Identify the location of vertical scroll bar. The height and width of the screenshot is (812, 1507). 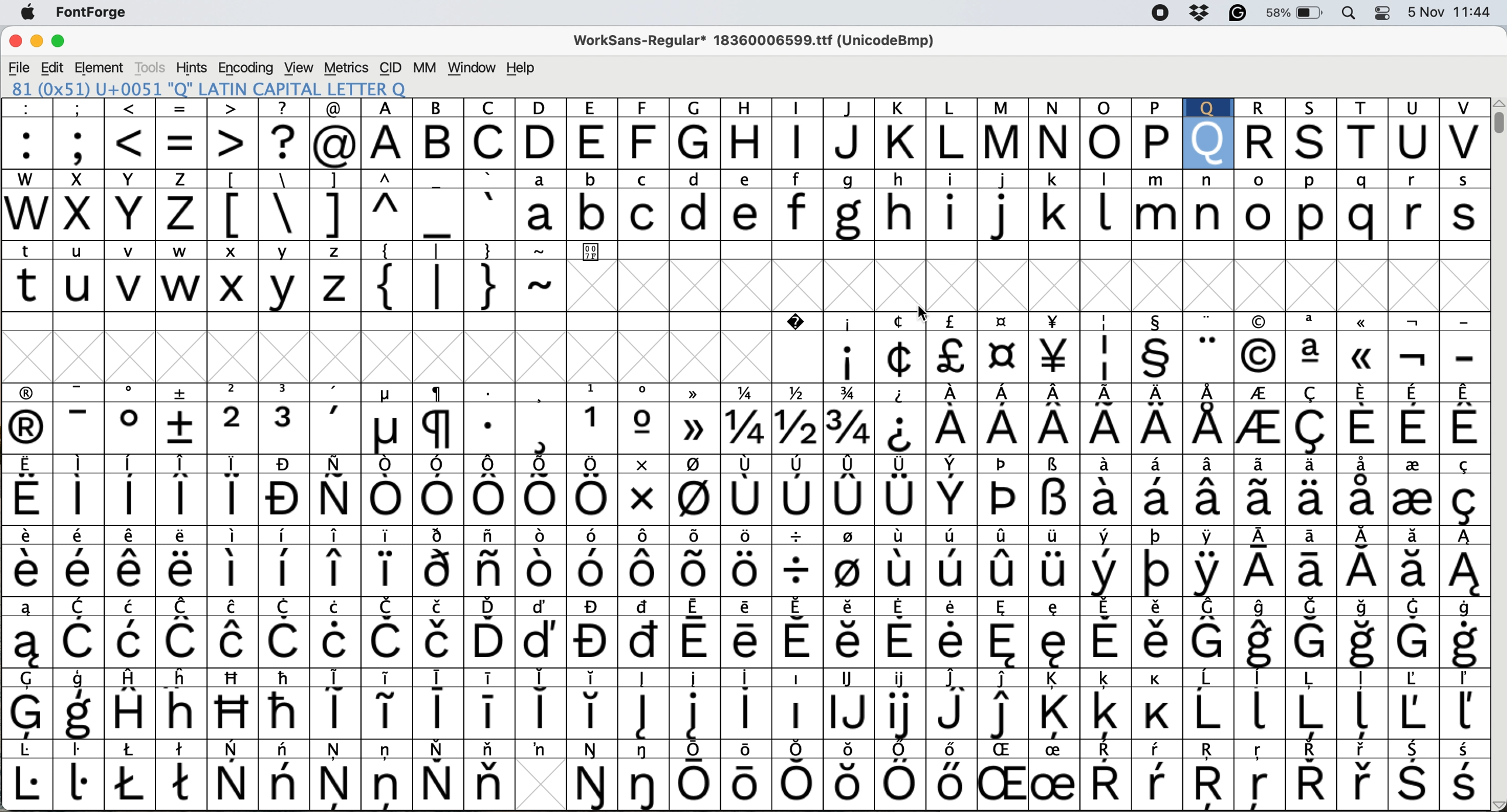
(1495, 119).